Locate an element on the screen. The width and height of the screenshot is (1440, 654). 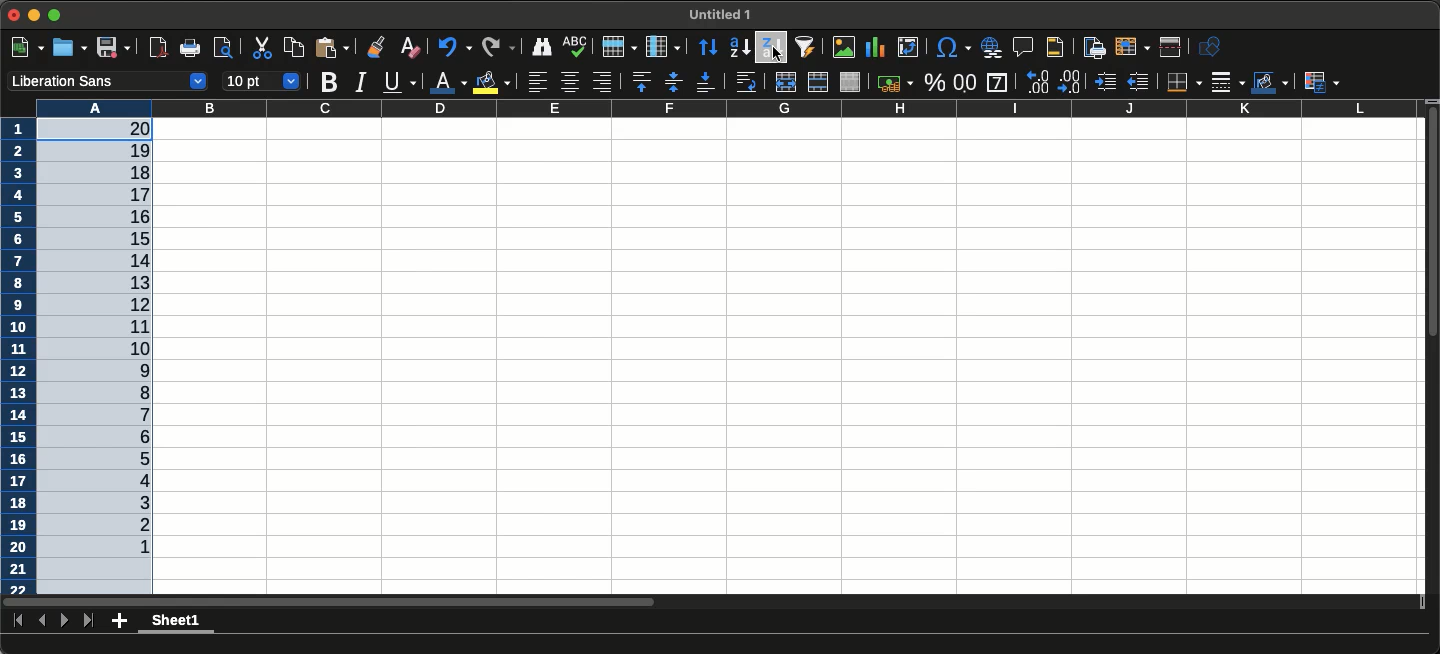
7 is located at coordinates (131, 261).